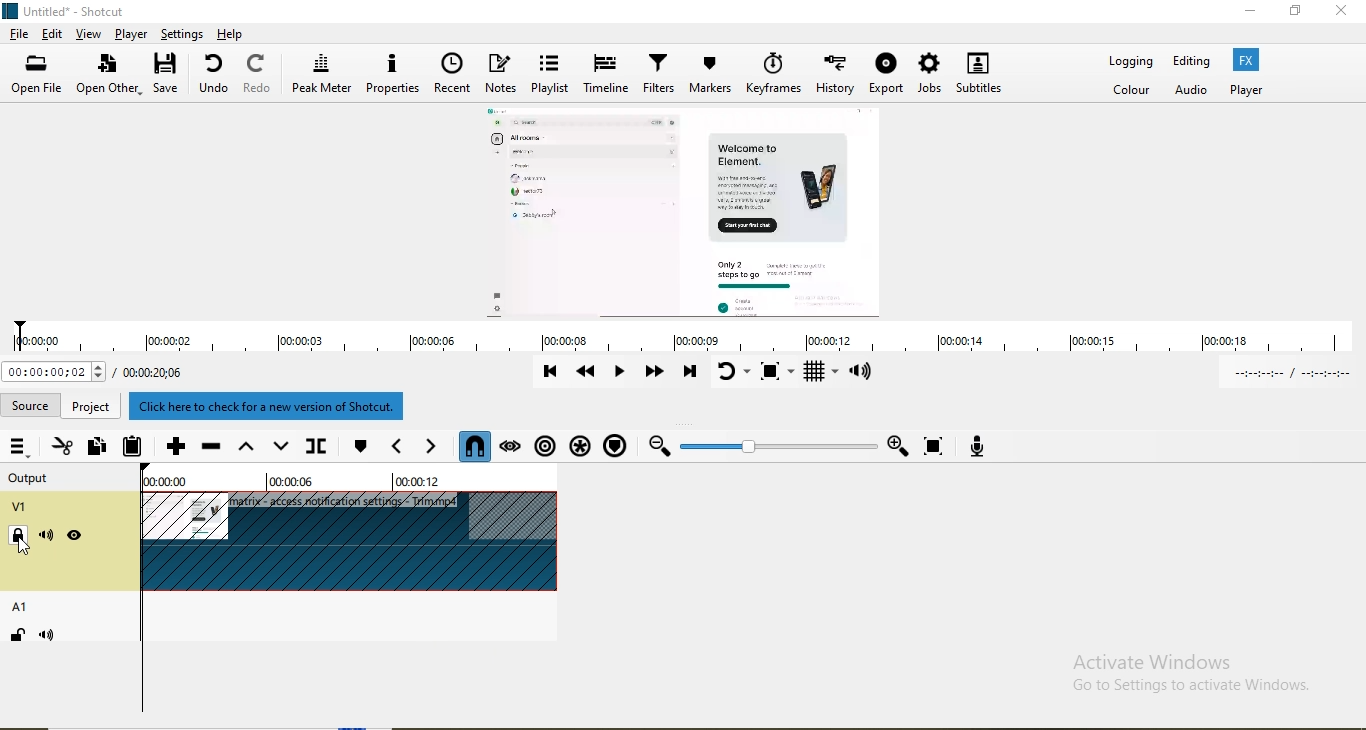 Image resolution: width=1366 pixels, height=730 pixels. Describe the element at coordinates (394, 75) in the screenshot. I see `Properties` at that location.